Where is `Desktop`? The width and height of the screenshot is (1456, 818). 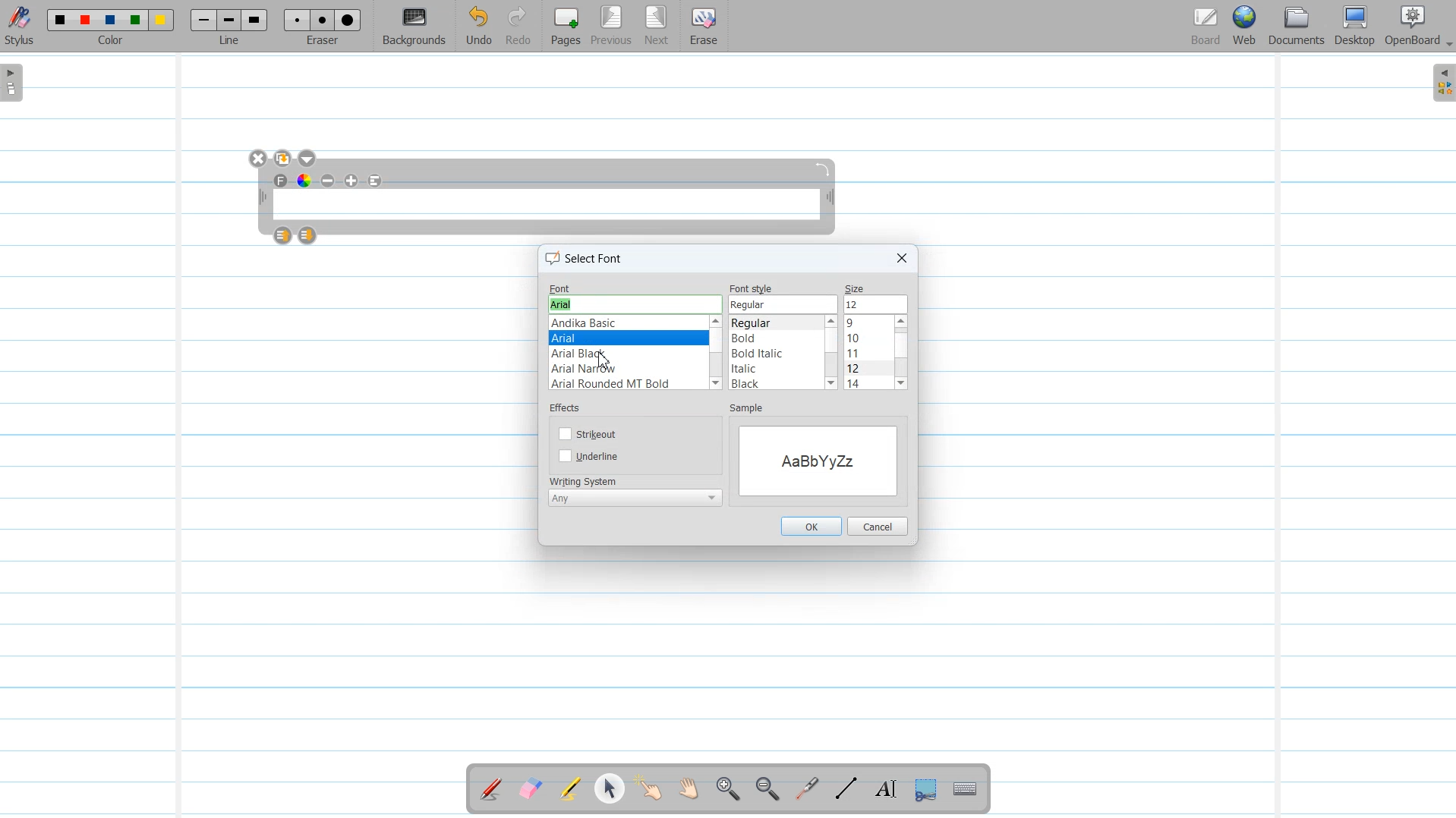
Desktop is located at coordinates (1354, 27).